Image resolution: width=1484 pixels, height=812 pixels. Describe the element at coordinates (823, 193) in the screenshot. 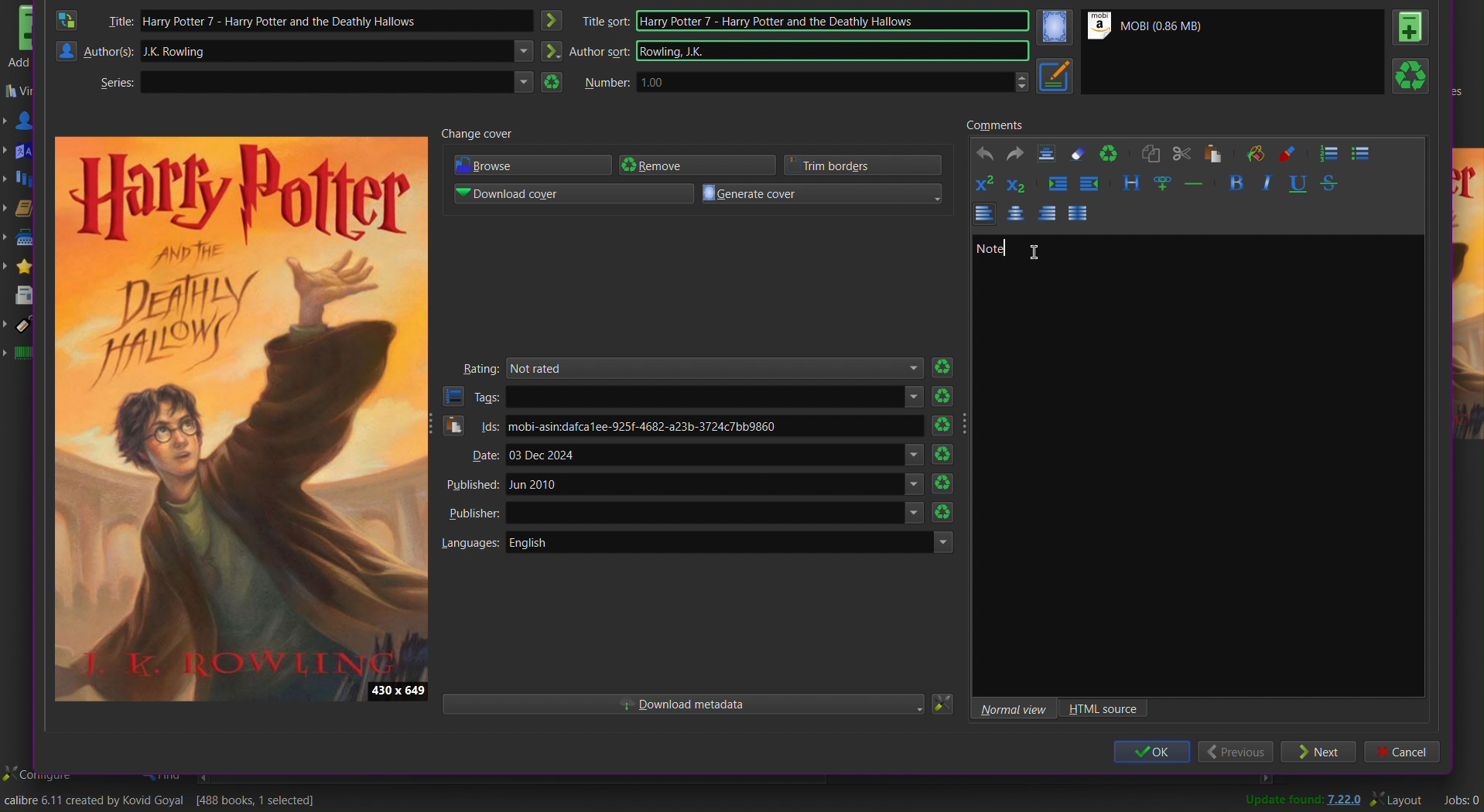

I see `Generate cover` at that location.